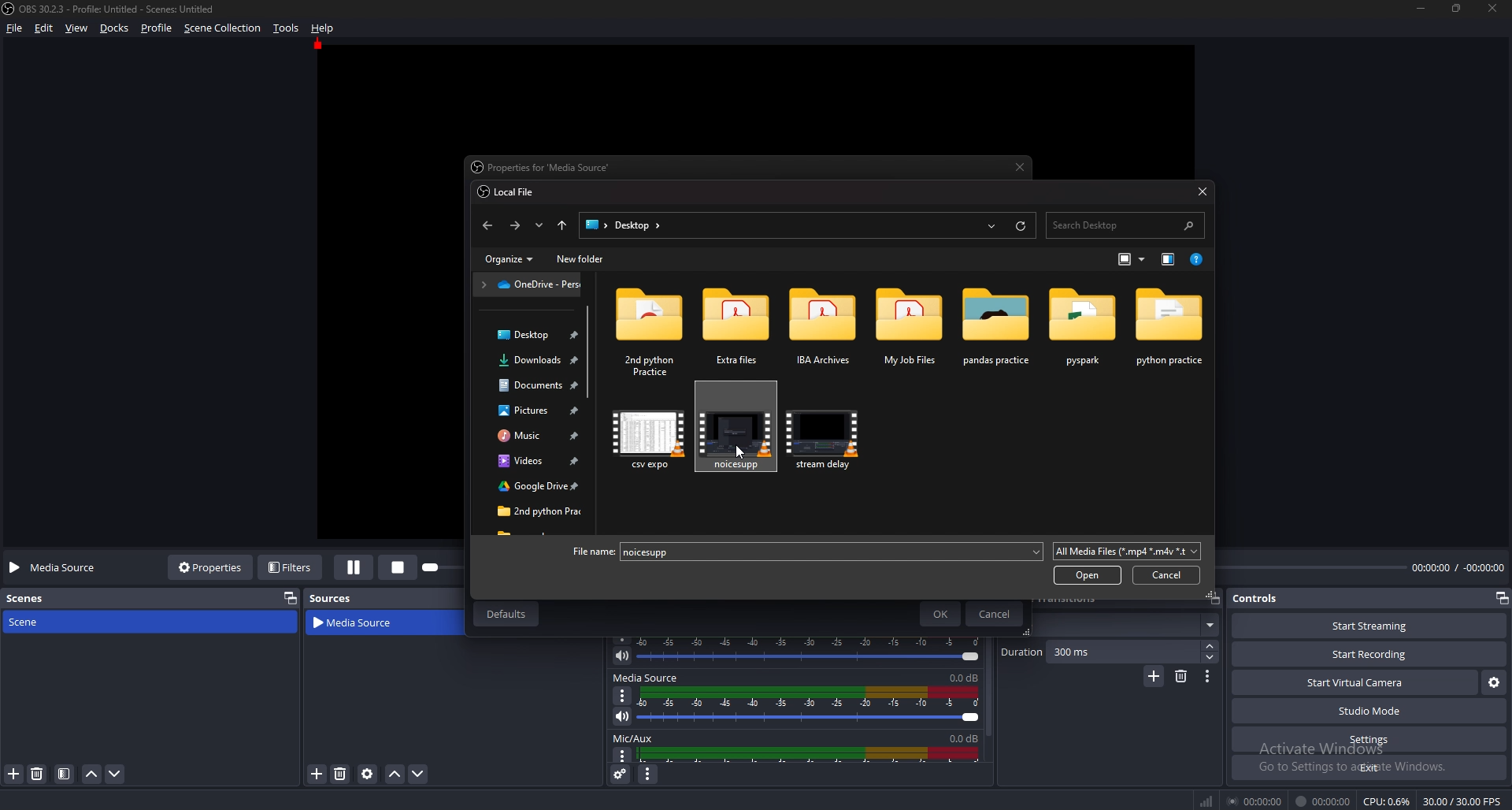 The image size is (1512, 810). What do you see at coordinates (1212, 646) in the screenshot?
I see `Increase duration` at bounding box center [1212, 646].